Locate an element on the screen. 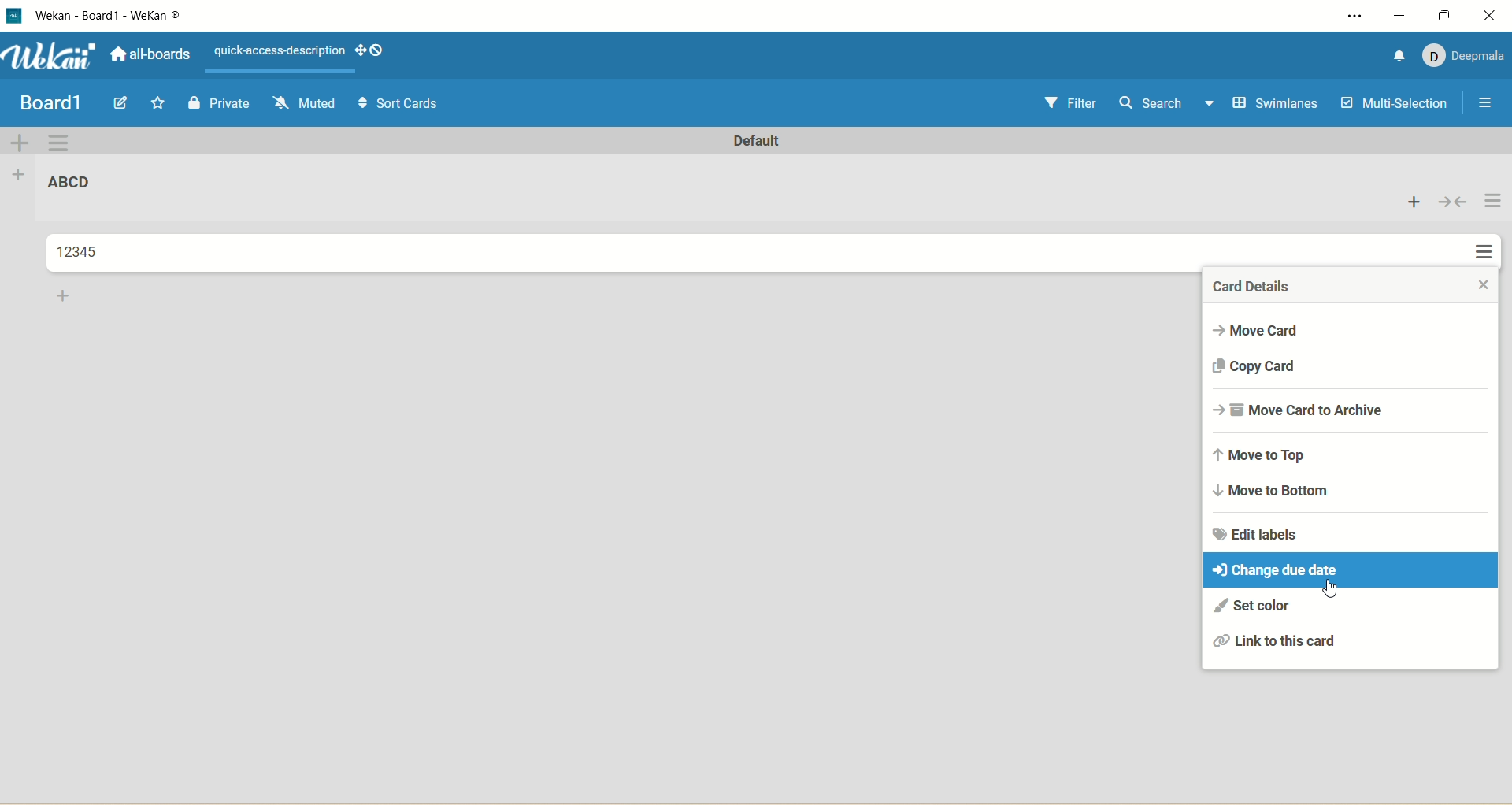 Image resolution: width=1512 pixels, height=805 pixels. search is located at coordinates (1168, 105).